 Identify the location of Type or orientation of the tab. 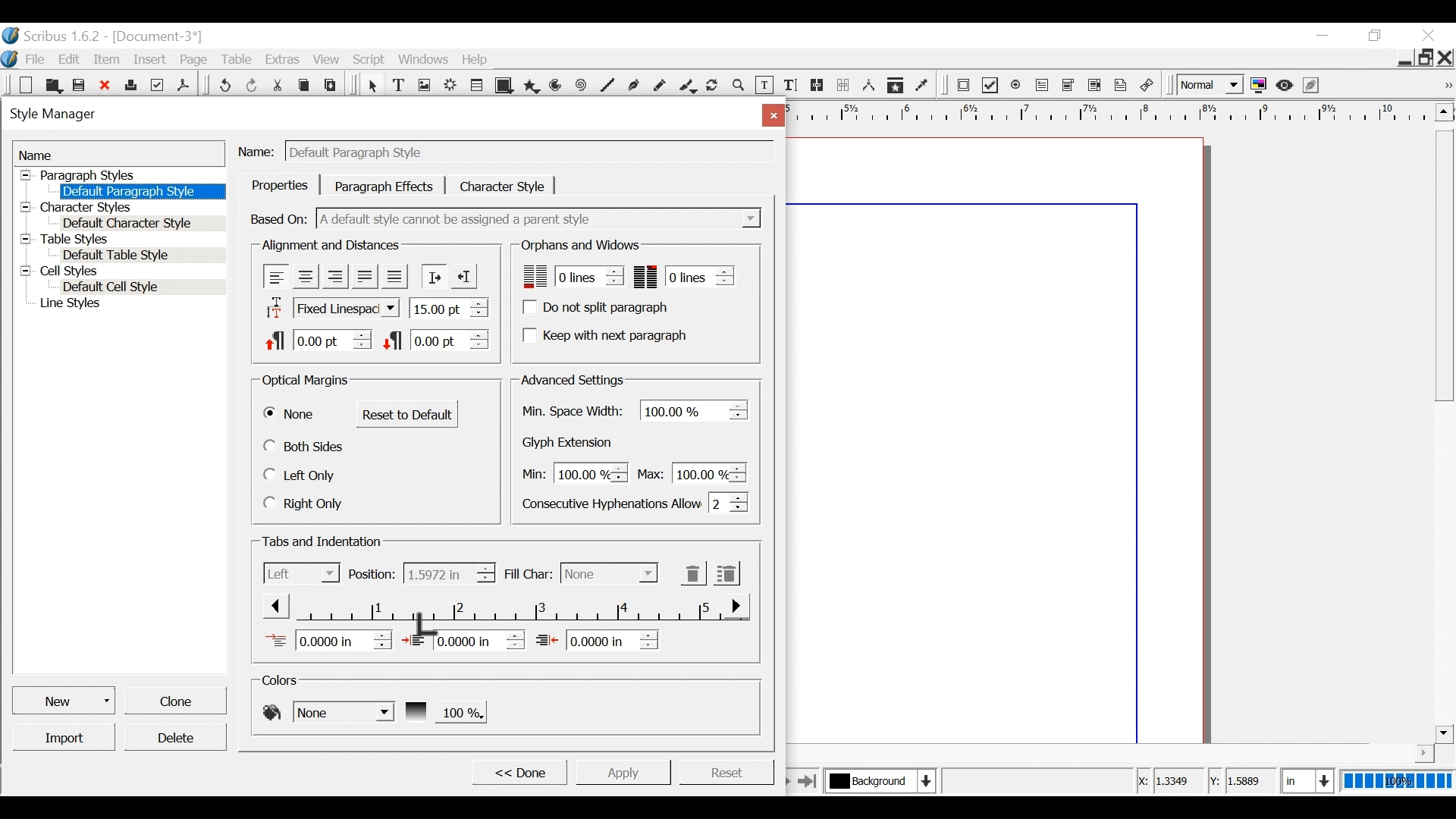
(302, 573).